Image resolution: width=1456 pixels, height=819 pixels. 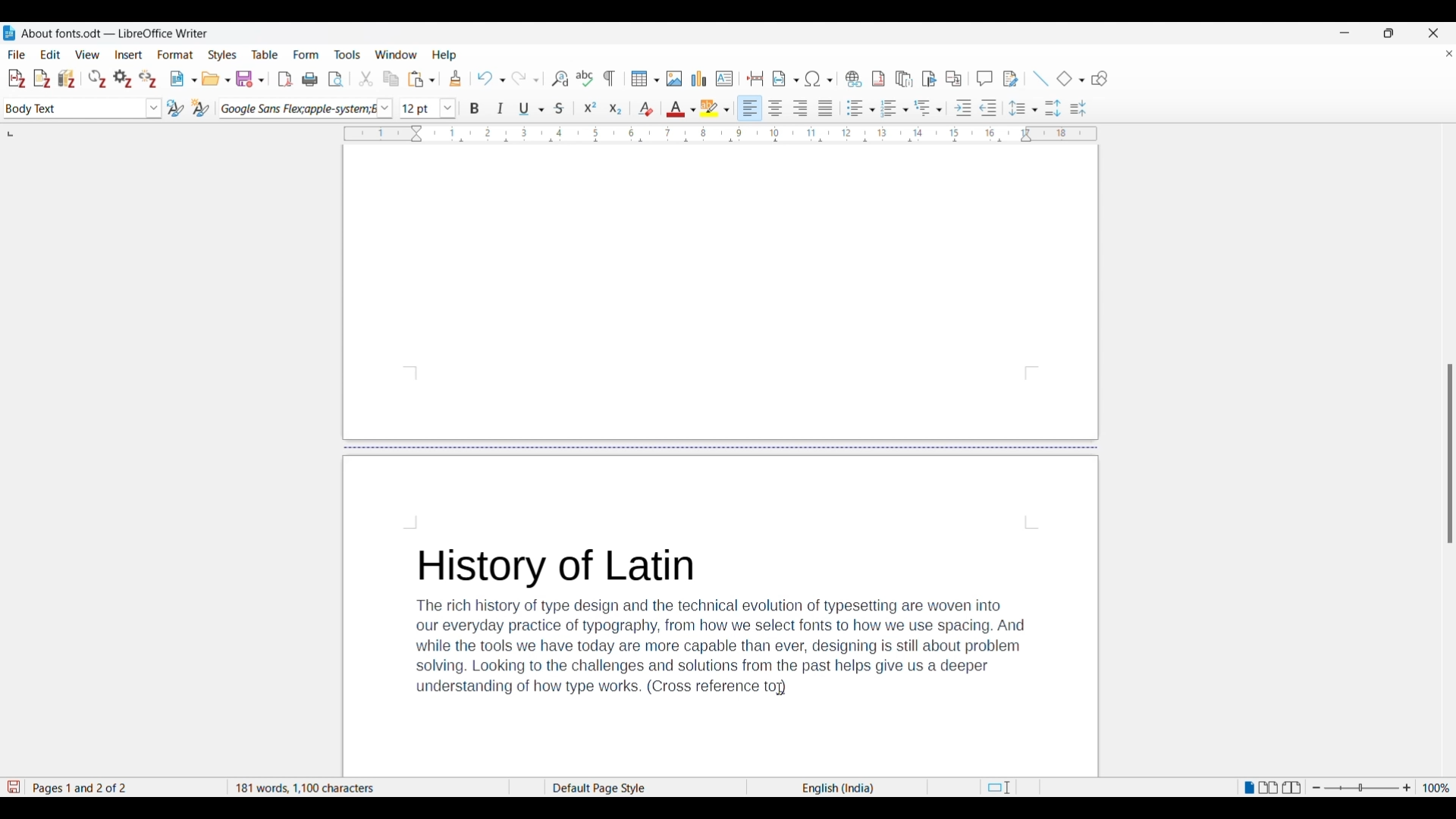 What do you see at coordinates (1407, 789) in the screenshot?
I see `Zoom in` at bounding box center [1407, 789].